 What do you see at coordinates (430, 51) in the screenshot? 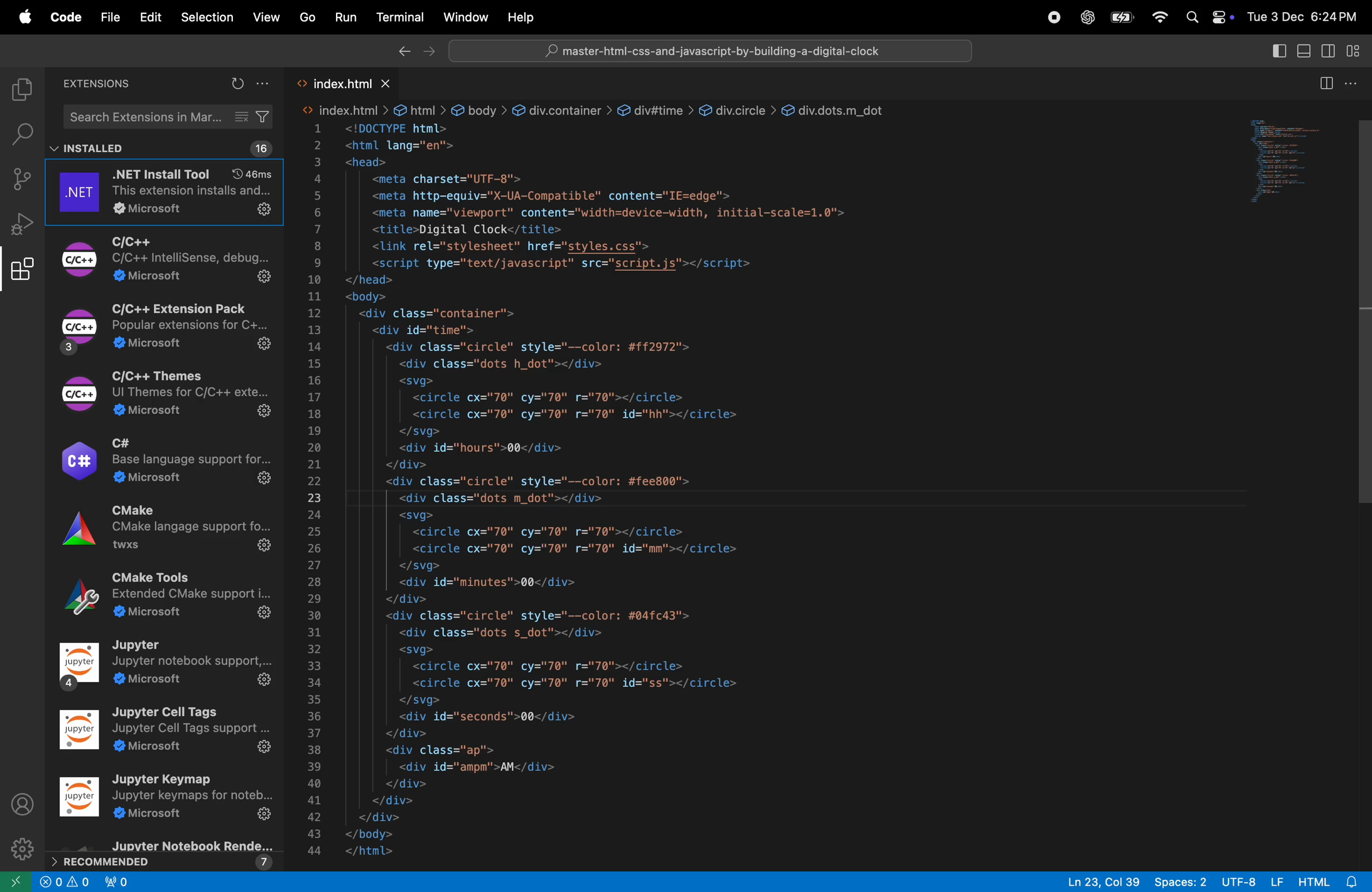
I see `forward` at bounding box center [430, 51].